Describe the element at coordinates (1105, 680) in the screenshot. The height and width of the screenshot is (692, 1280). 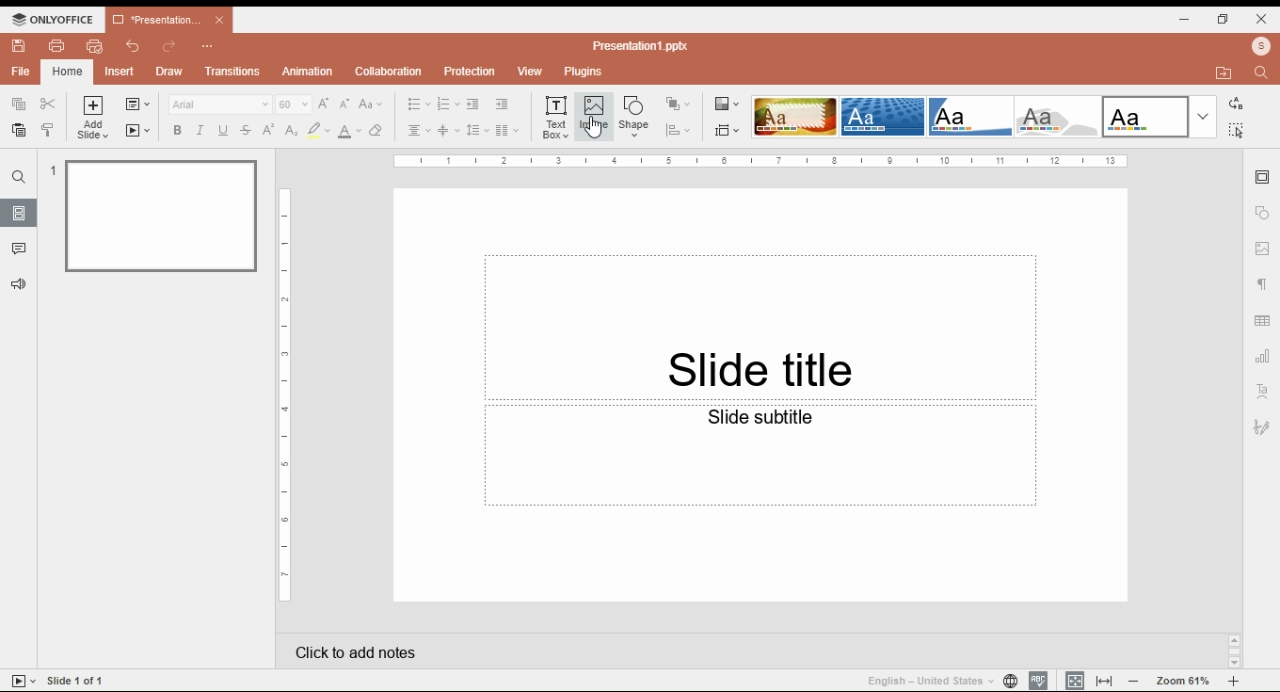
I see `fit to width` at that location.